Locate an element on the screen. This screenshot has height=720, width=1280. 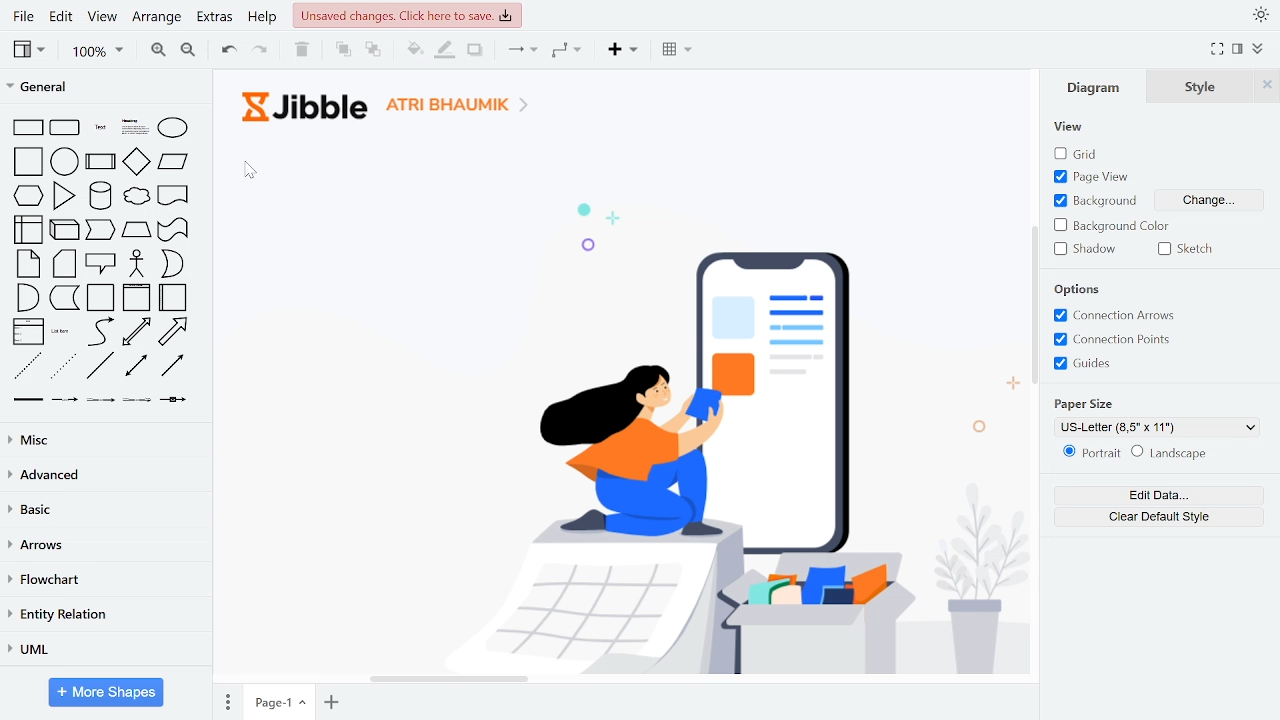
misc is located at coordinates (106, 441).